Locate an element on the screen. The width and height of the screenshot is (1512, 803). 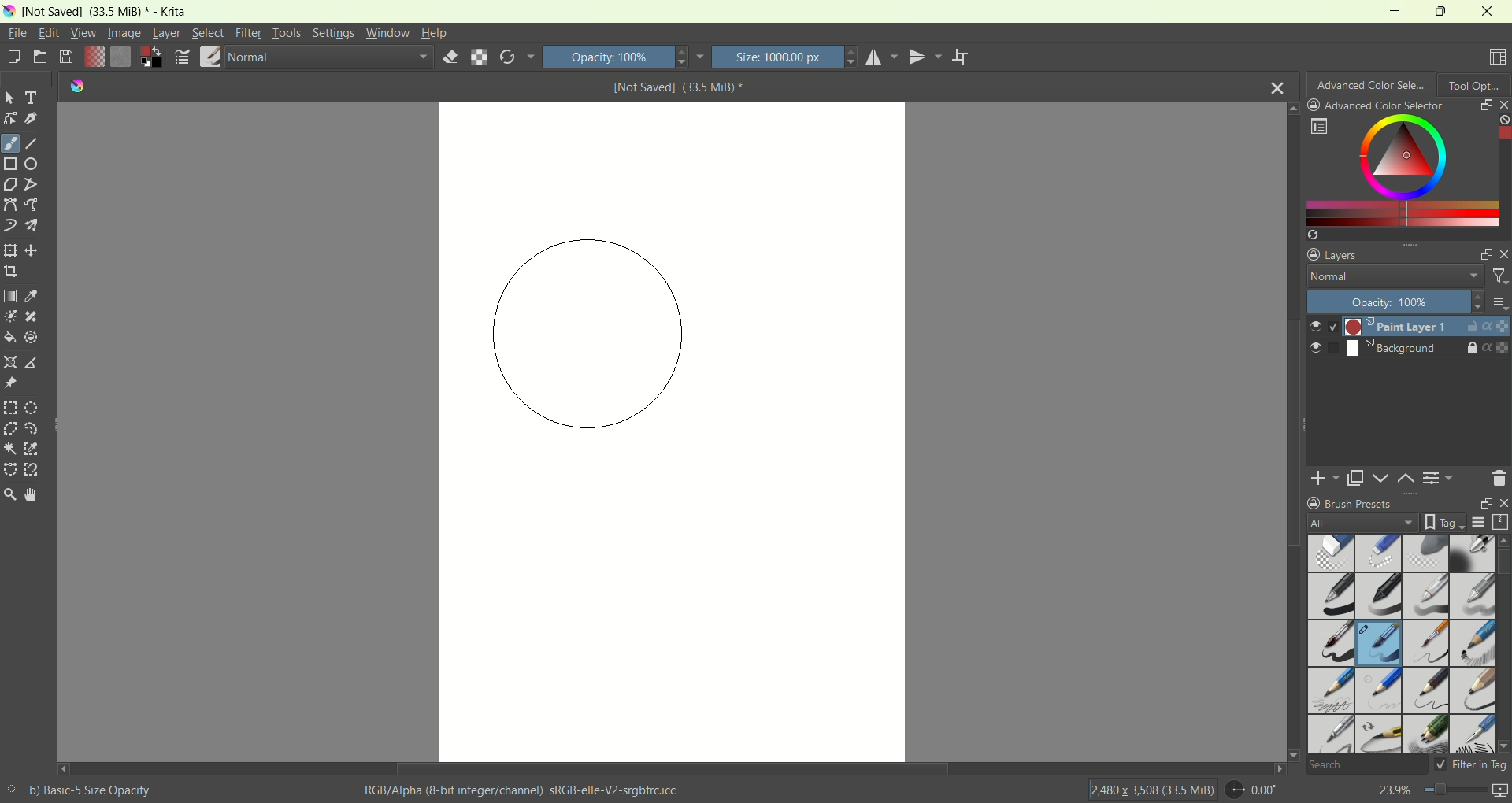
bezier curve is located at coordinates (12, 205).